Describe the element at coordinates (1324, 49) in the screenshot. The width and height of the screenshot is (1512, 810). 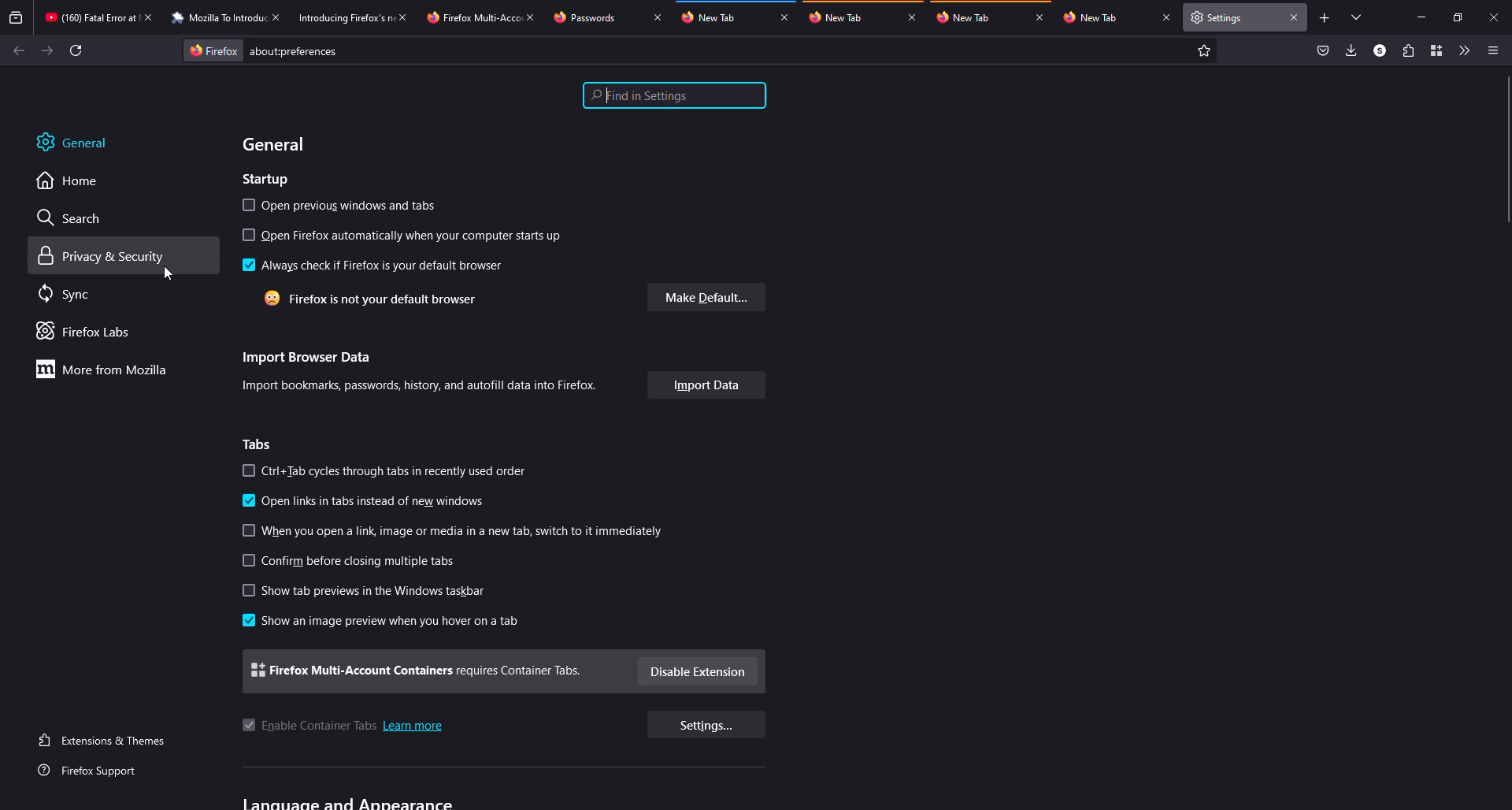
I see `save to pocket` at that location.